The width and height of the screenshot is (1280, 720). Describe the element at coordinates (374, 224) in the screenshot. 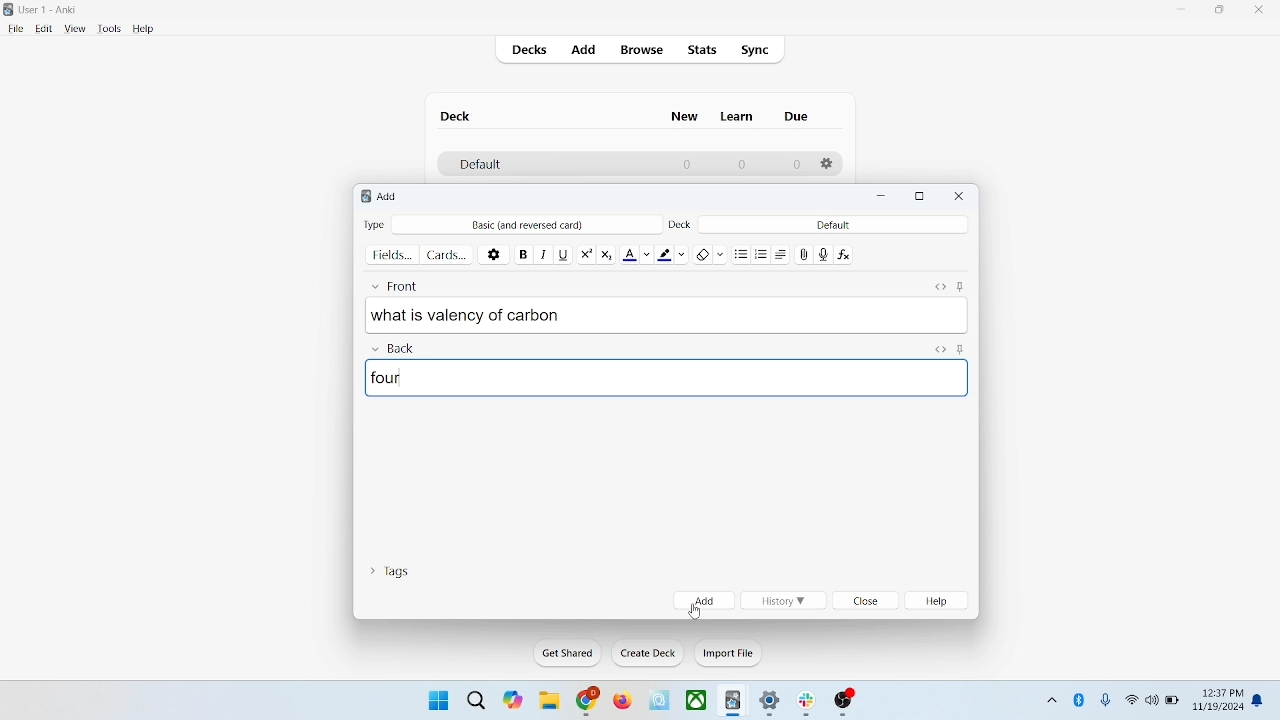

I see `type` at that location.